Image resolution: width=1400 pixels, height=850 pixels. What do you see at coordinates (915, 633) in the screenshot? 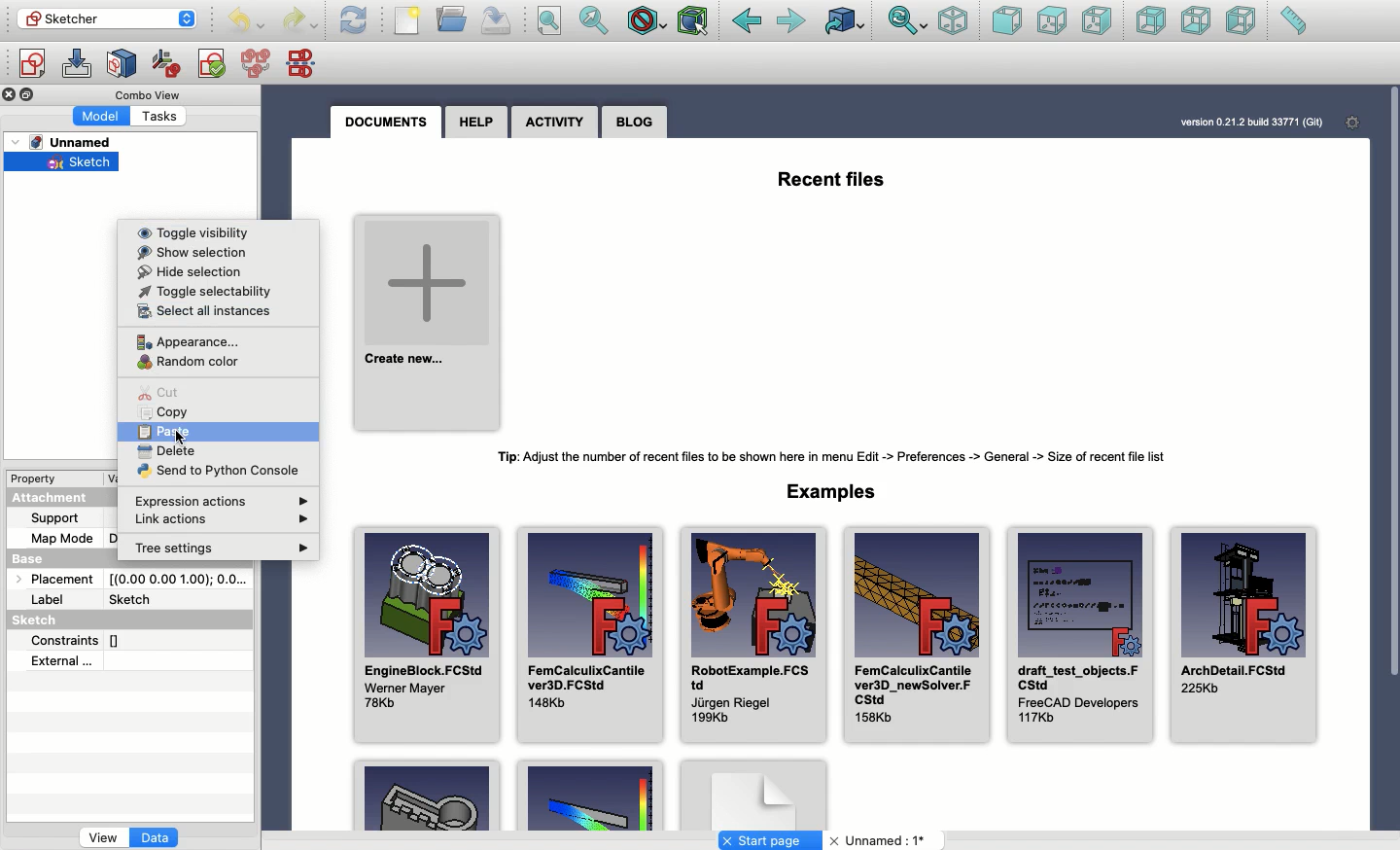
I see `FemCalculixCantile` at bounding box center [915, 633].